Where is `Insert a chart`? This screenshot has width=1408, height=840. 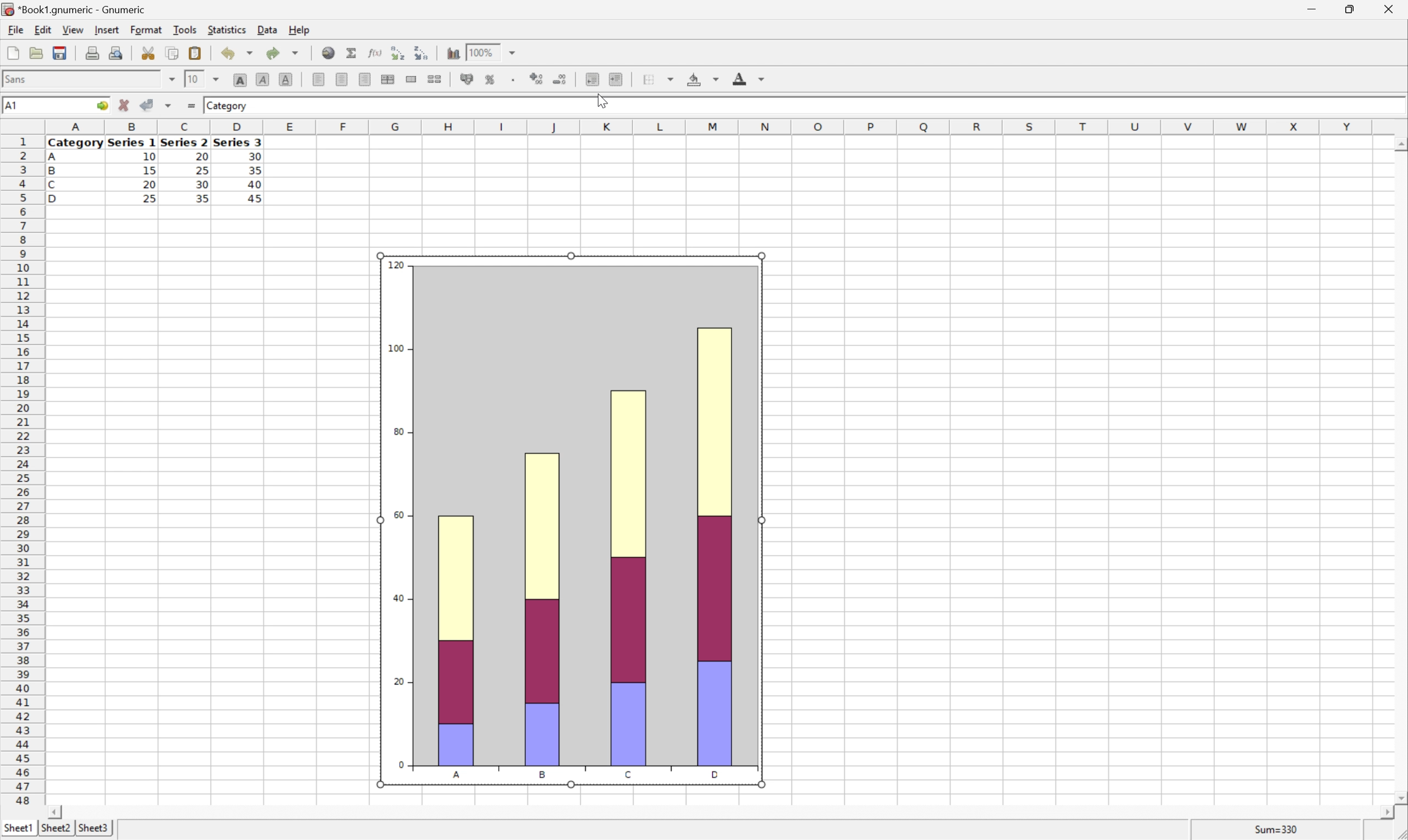
Insert a chart is located at coordinates (499, 79).